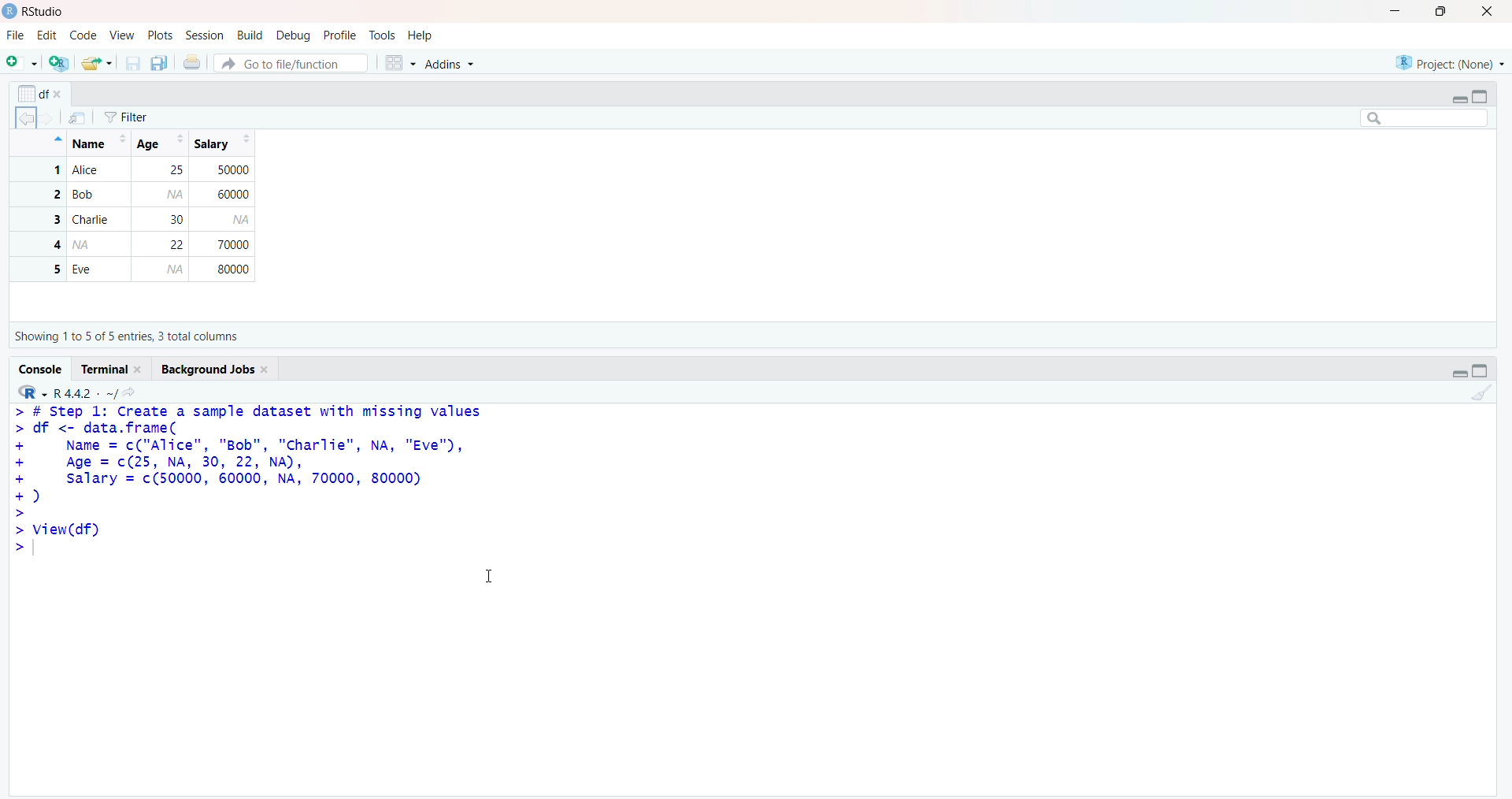 This screenshot has width=1512, height=799. Describe the element at coordinates (51, 121) in the screenshot. I see `Go forward to the next source location (Ctrl + F10)` at that location.